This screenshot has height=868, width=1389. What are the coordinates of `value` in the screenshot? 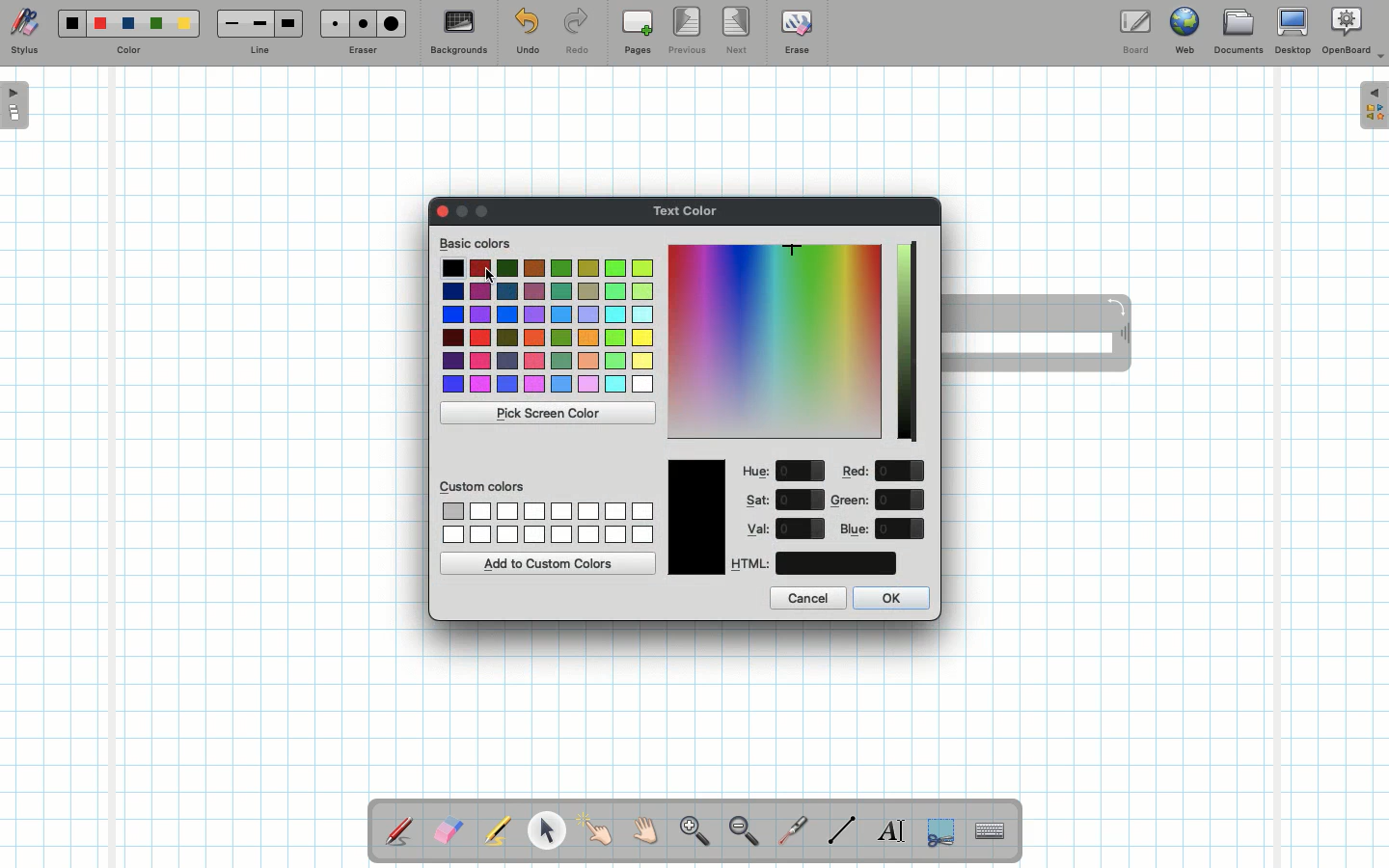 It's located at (901, 500).